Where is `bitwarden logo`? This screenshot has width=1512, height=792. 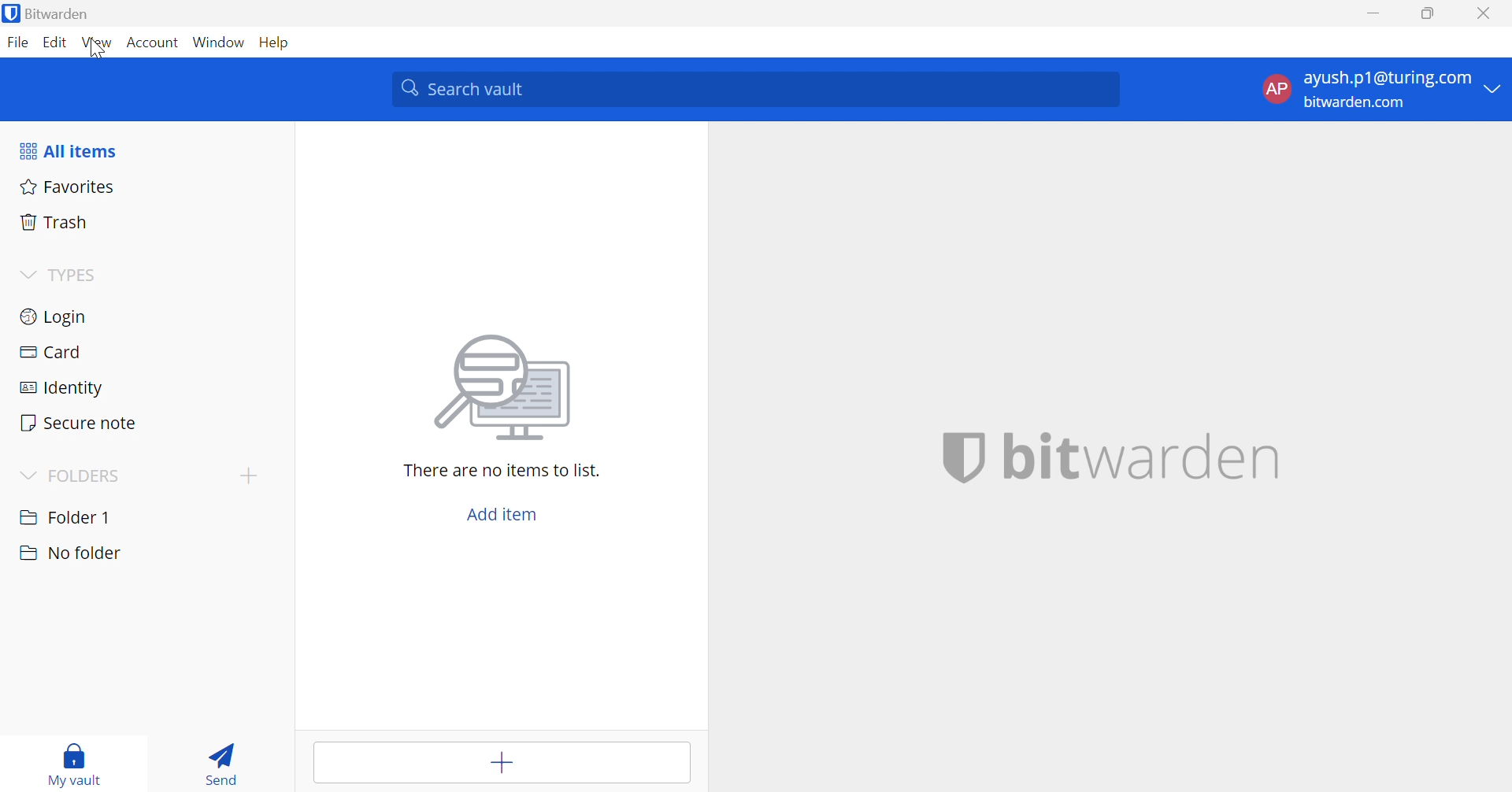 bitwarden logo is located at coordinates (962, 461).